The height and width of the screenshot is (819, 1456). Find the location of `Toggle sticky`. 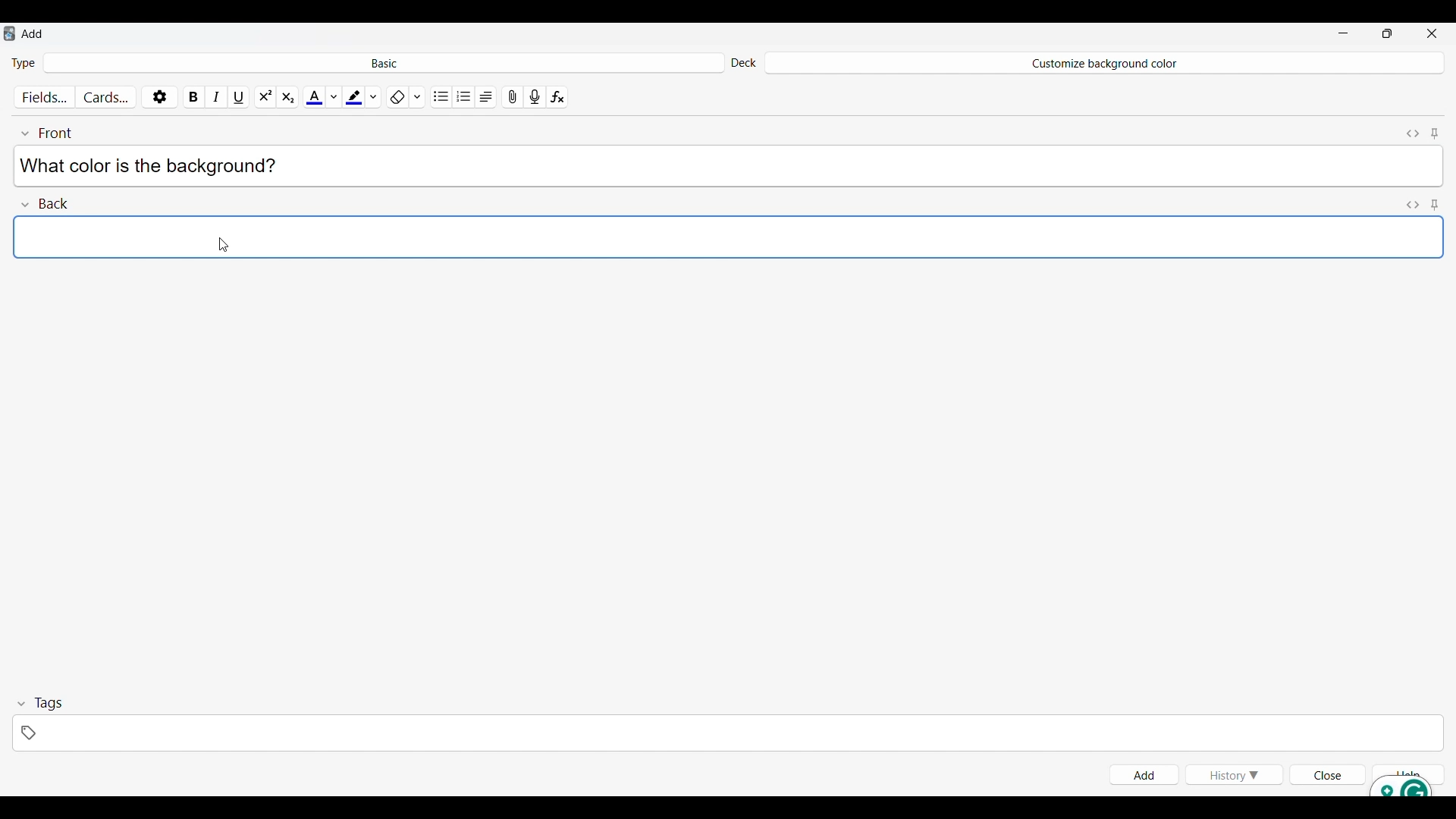

Toggle sticky is located at coordinates (1434, 203).